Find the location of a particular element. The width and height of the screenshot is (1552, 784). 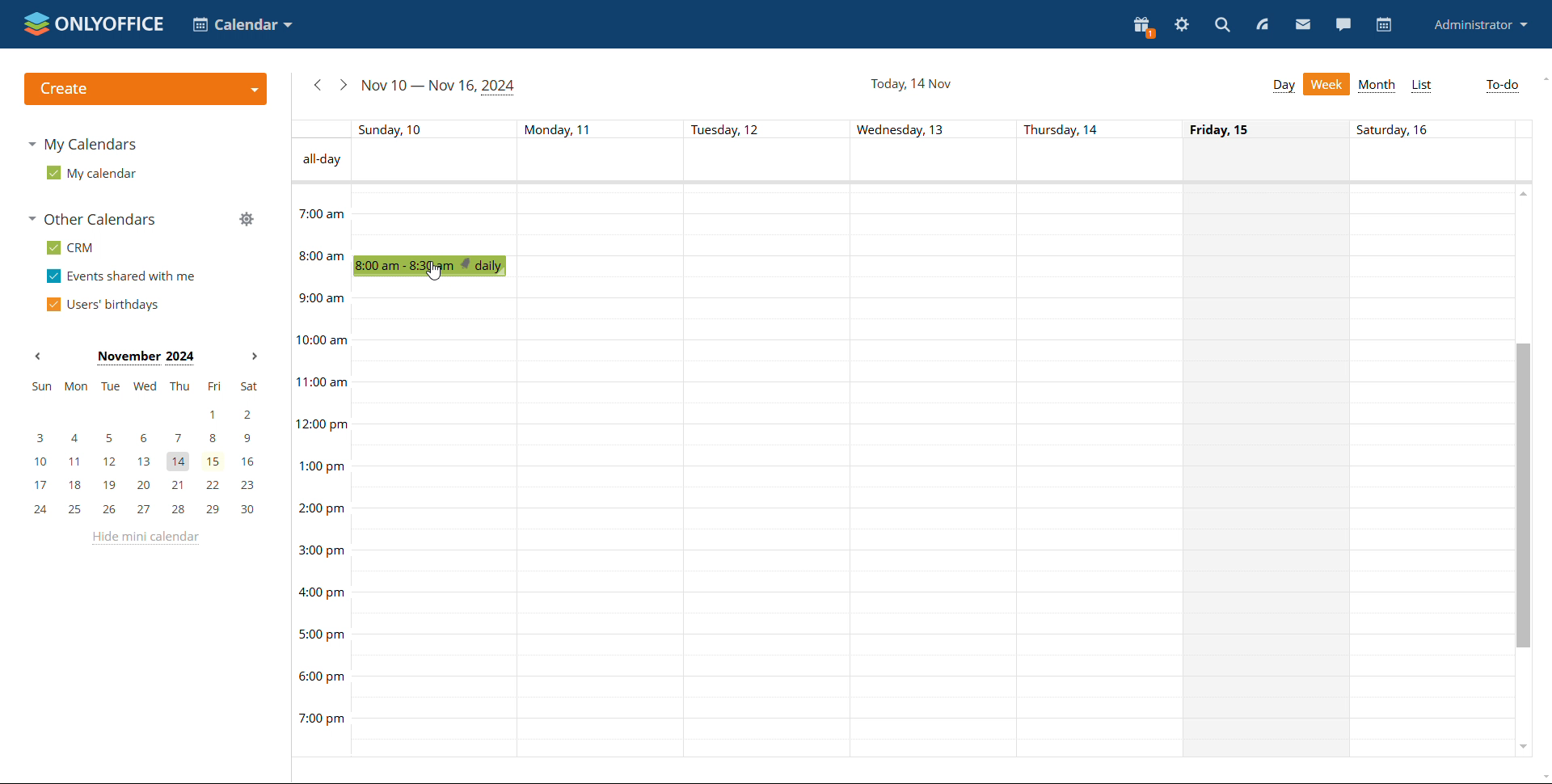

events shared with me is located at coordinates (121, 276).